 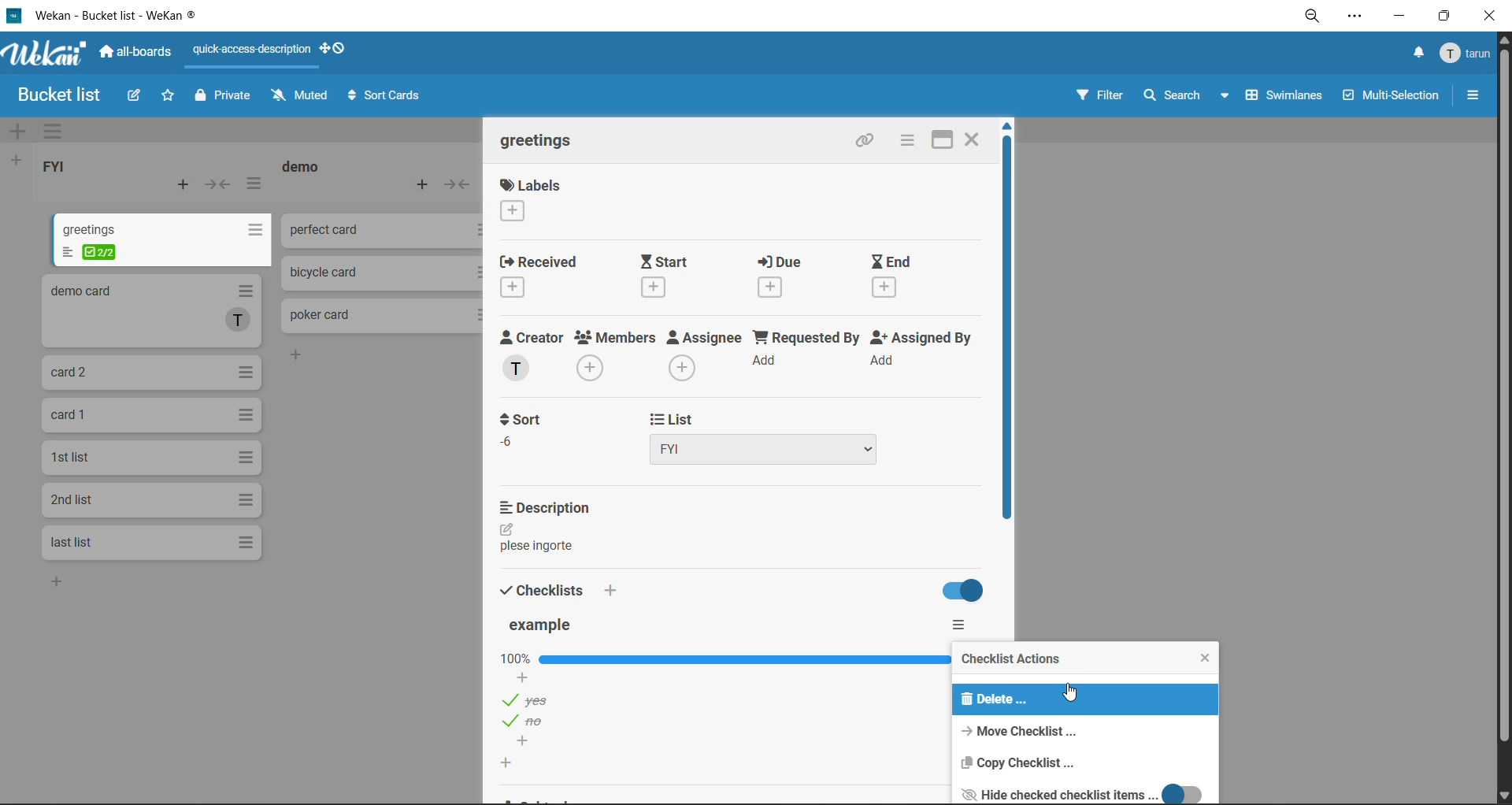 What do you see at coordinates (303, 168) in the screenshot?
I see `list title` at bounding box center [303, 168].